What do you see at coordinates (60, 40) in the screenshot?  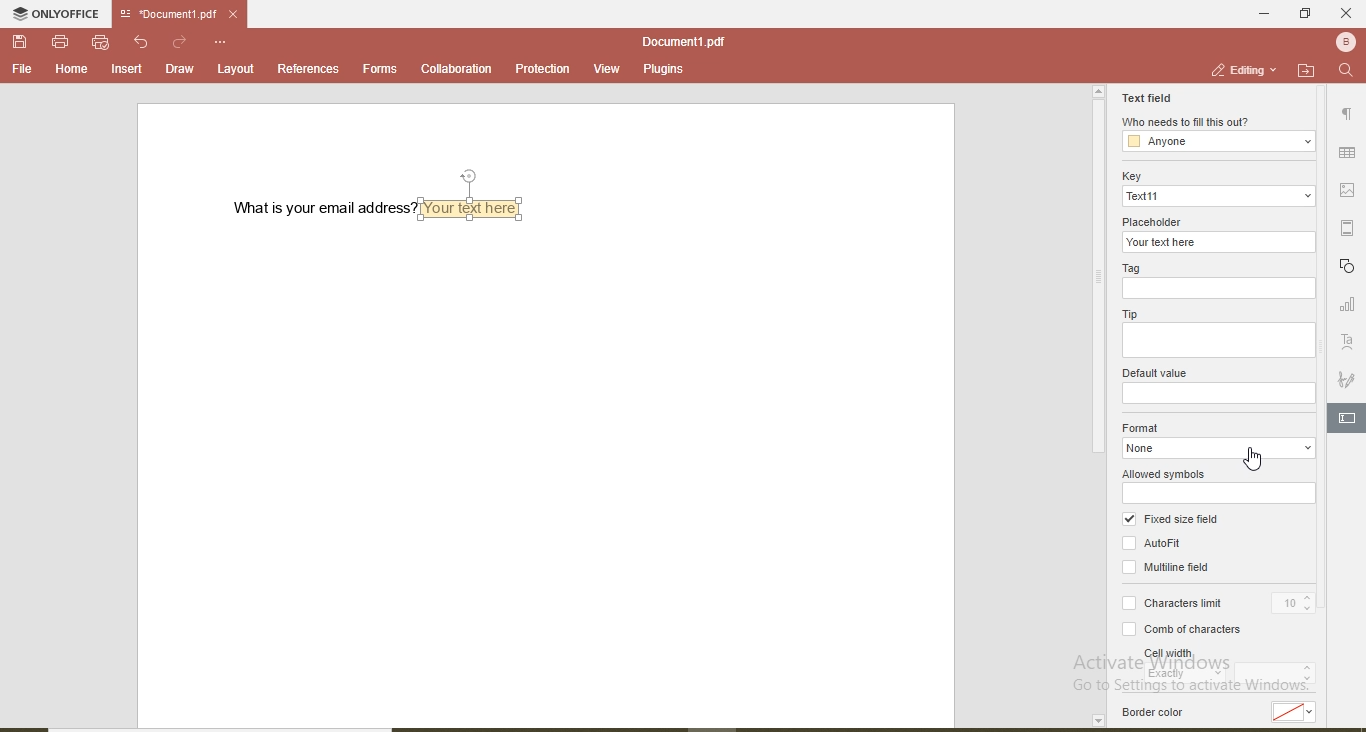 I see `print` at bounding box center [60, 40].